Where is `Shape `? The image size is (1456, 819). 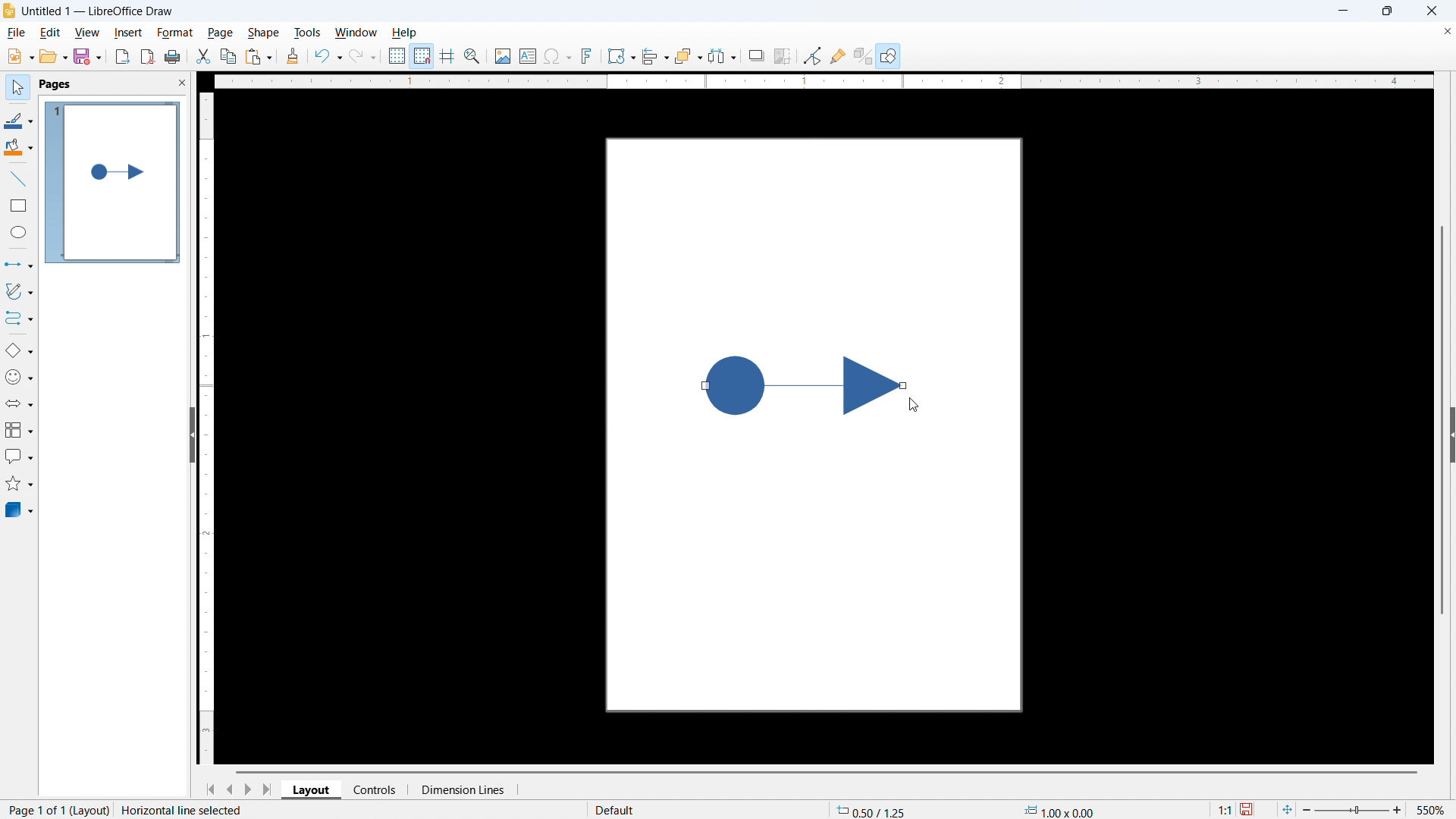 Shape  is located at coordinates (262, 33).